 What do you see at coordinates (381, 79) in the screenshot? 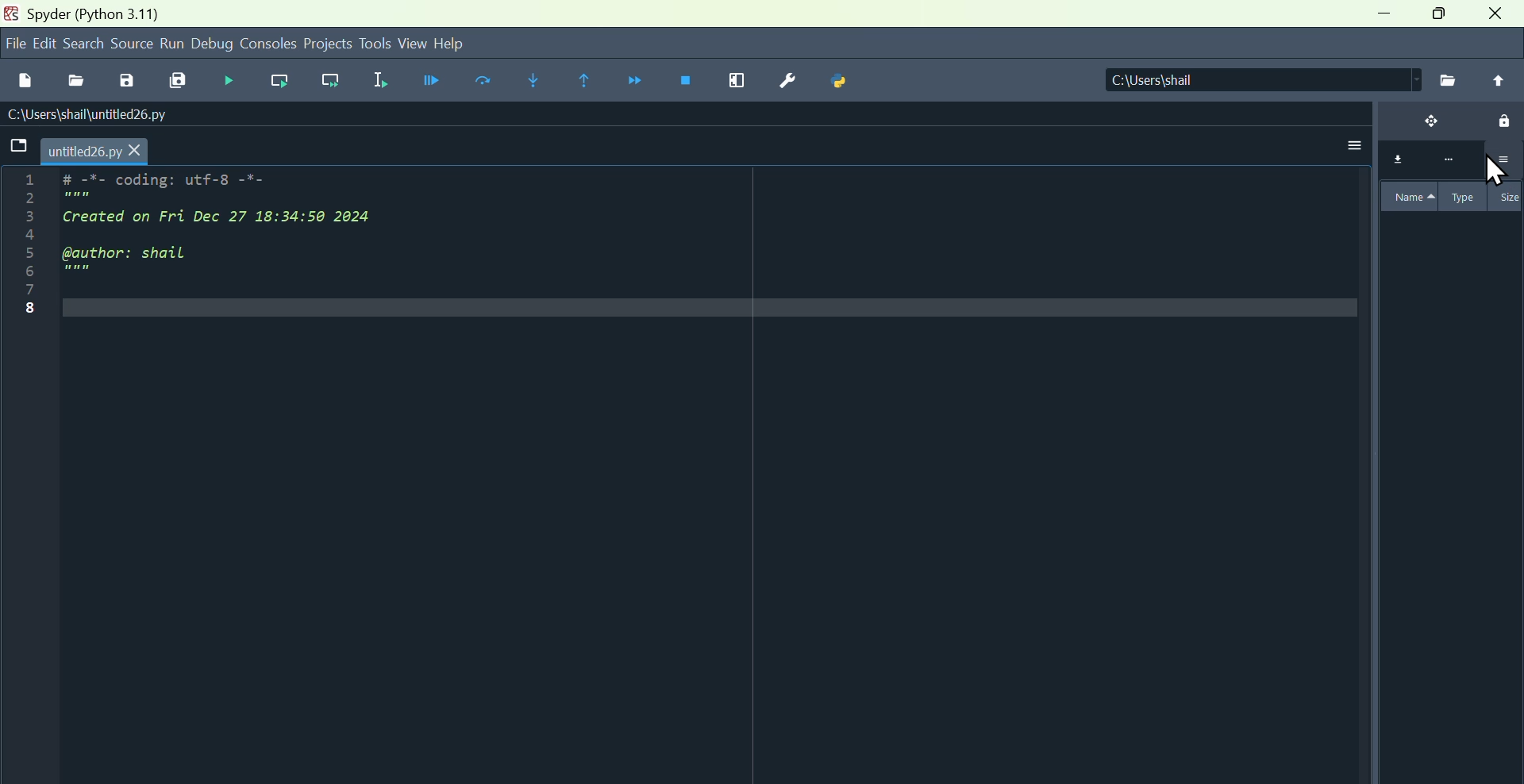
I see `Run selection` at bounding box center [381, 79].